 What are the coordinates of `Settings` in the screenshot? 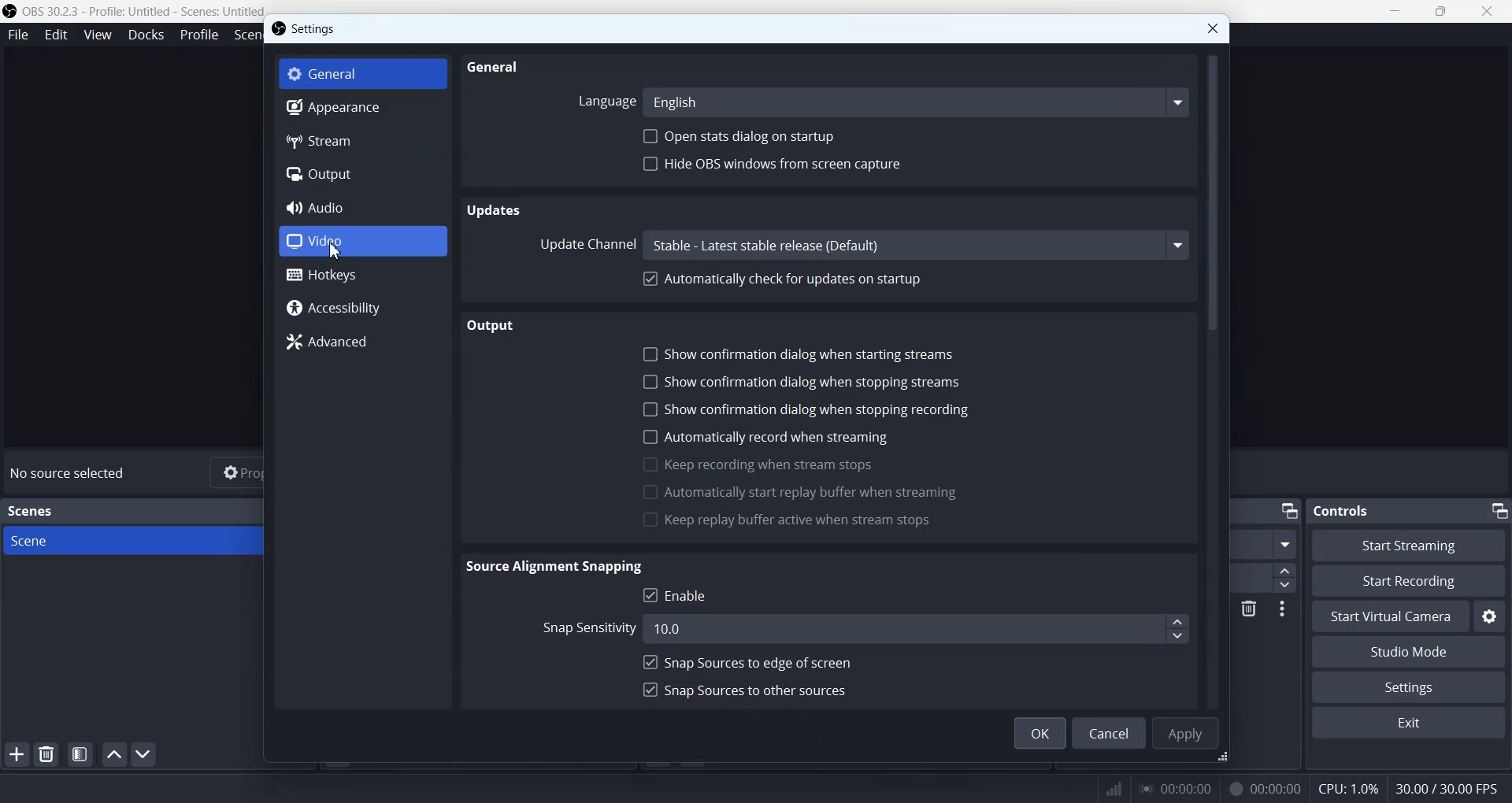 It's located at (1409, 687).